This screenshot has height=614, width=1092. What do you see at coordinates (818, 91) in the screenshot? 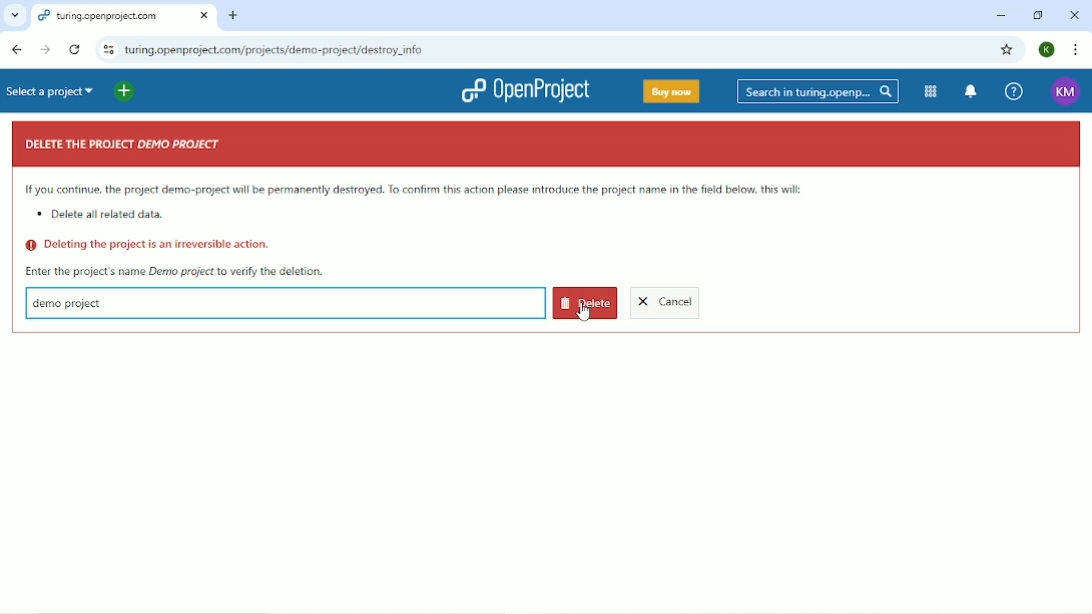
I see `Search in turin.openprojects.com` at bounding box center [818, 91].